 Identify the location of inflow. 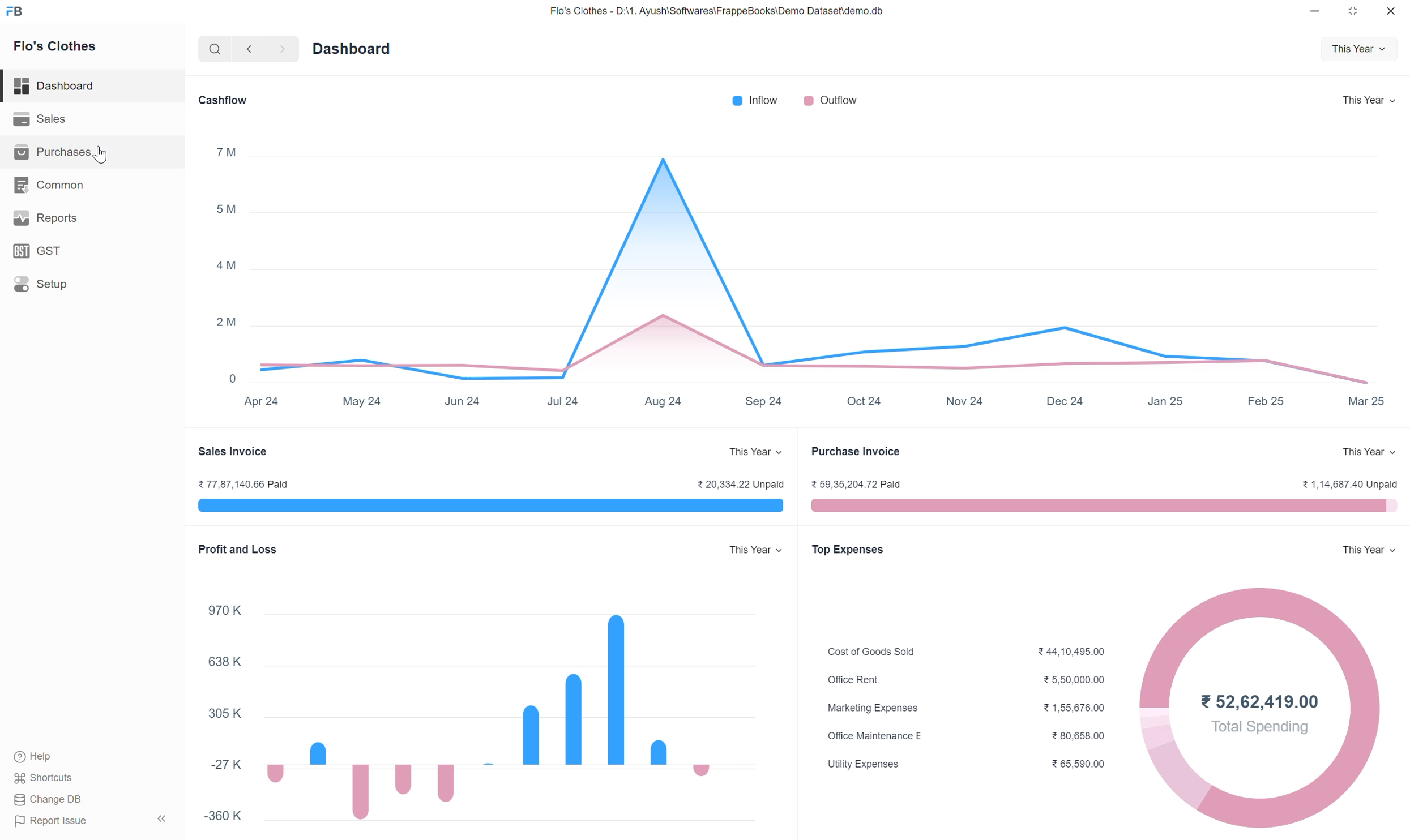
(755, 100).